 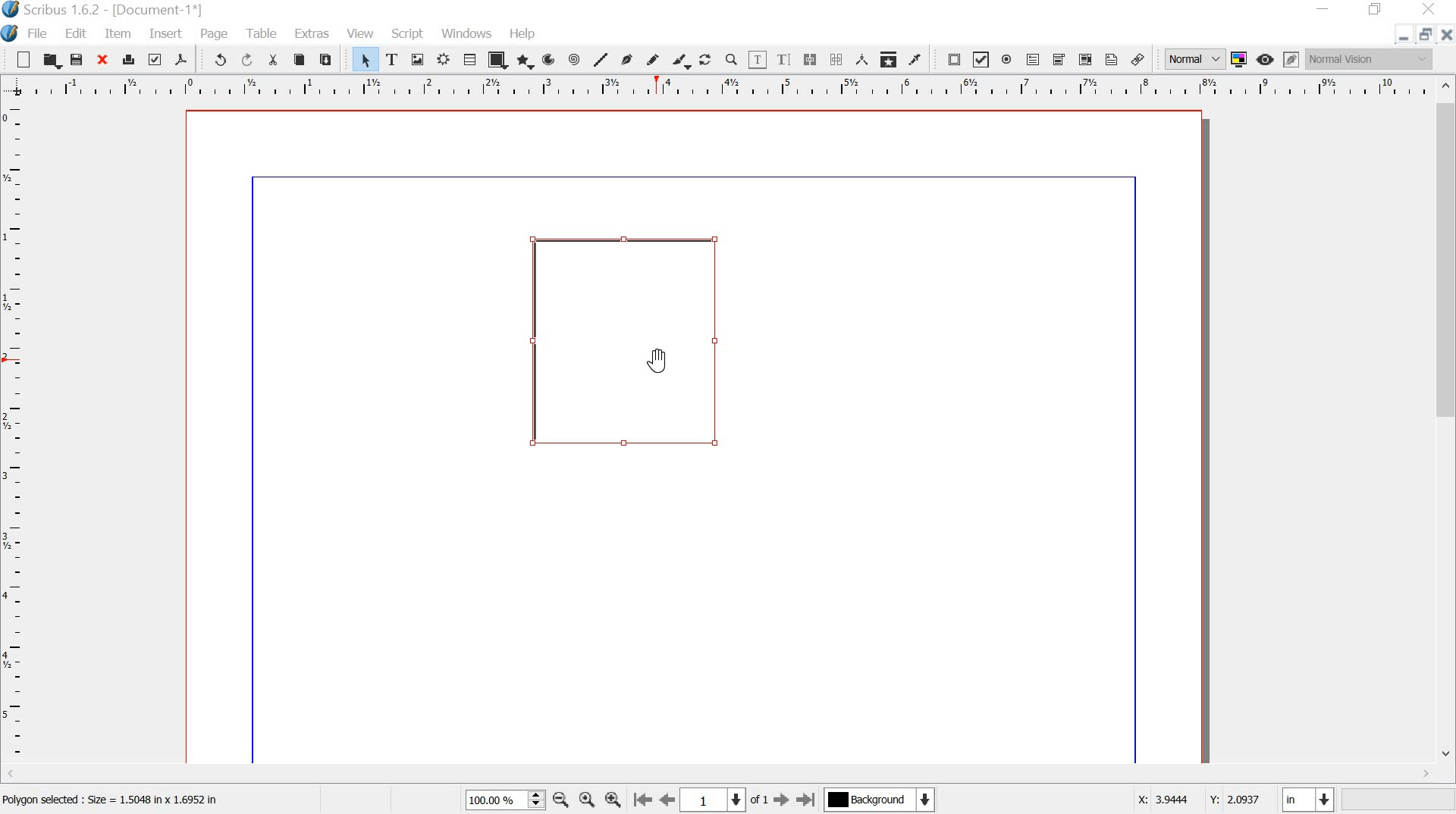 I want to click on edit contents of frame, so click(x=757, y=60).